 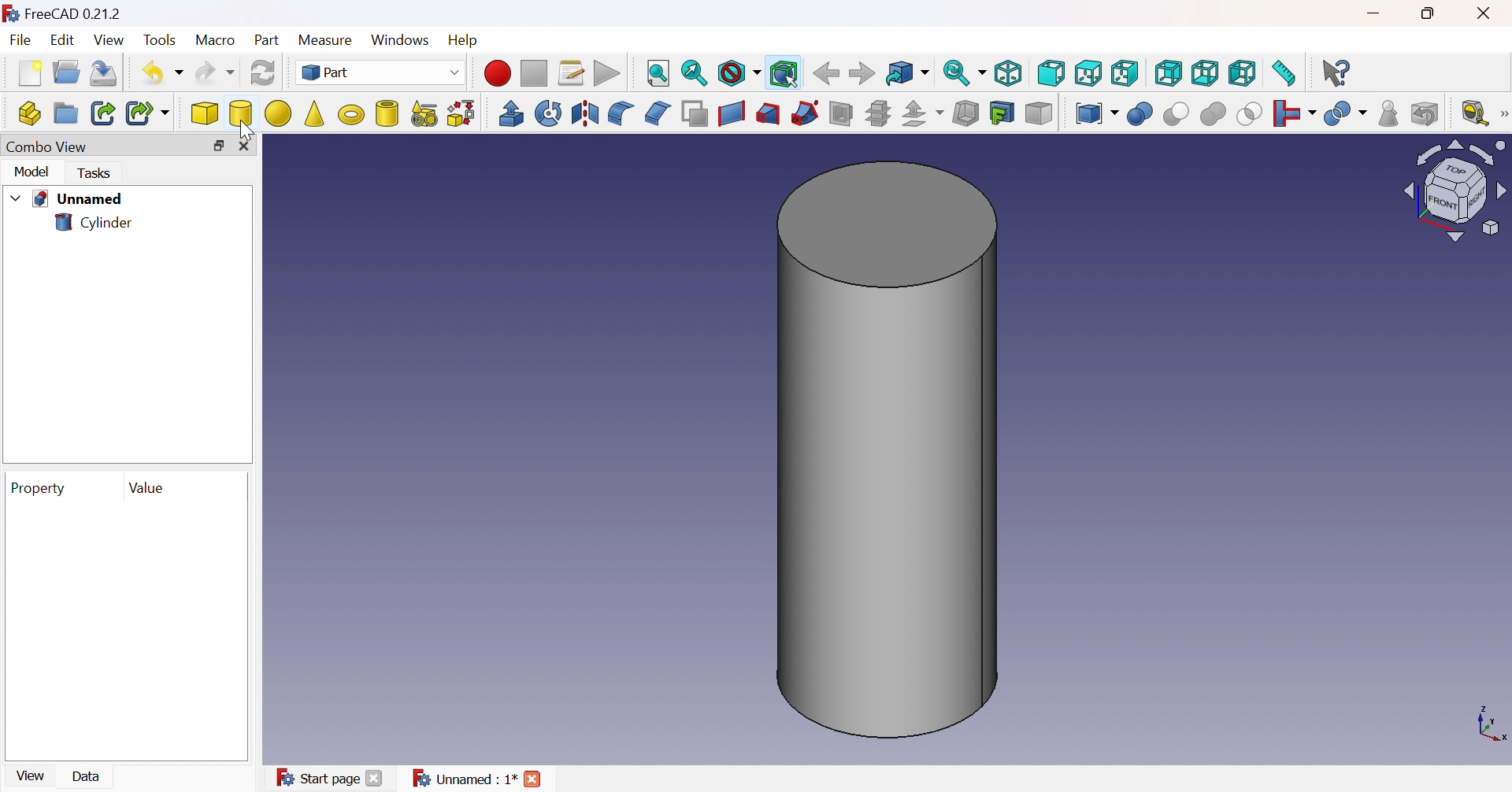 I want to click on Create projection on surface, so click(x=1004, y=113).